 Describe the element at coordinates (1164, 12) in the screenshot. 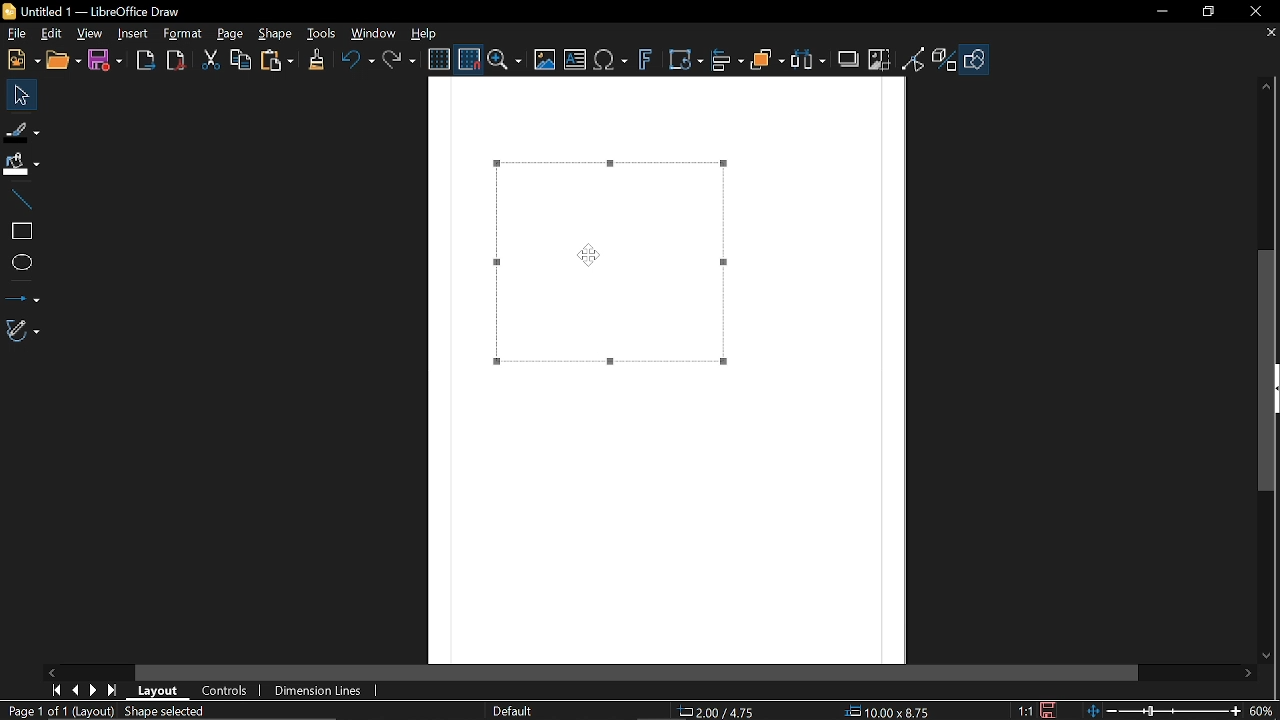

I see `Minimize` at that location.